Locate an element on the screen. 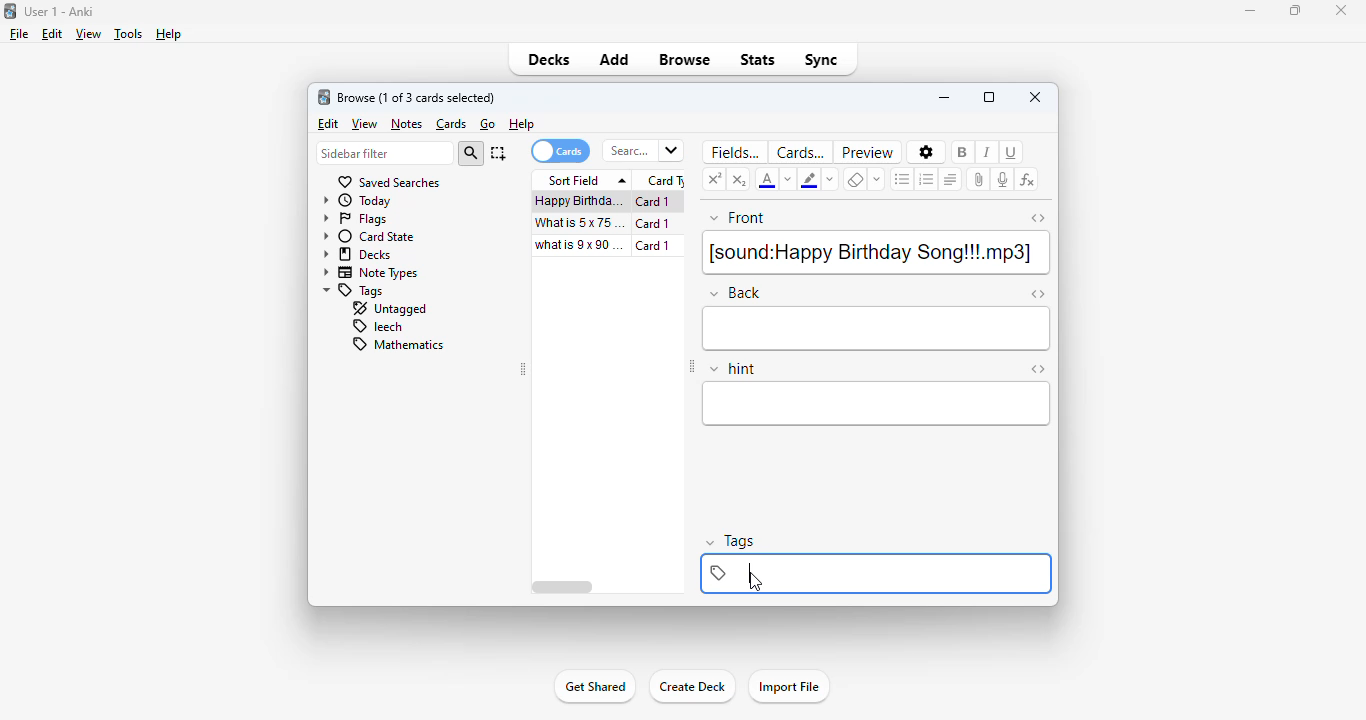 This screenshot has width=1366, height=720. go is located at coordinates (488, 124).